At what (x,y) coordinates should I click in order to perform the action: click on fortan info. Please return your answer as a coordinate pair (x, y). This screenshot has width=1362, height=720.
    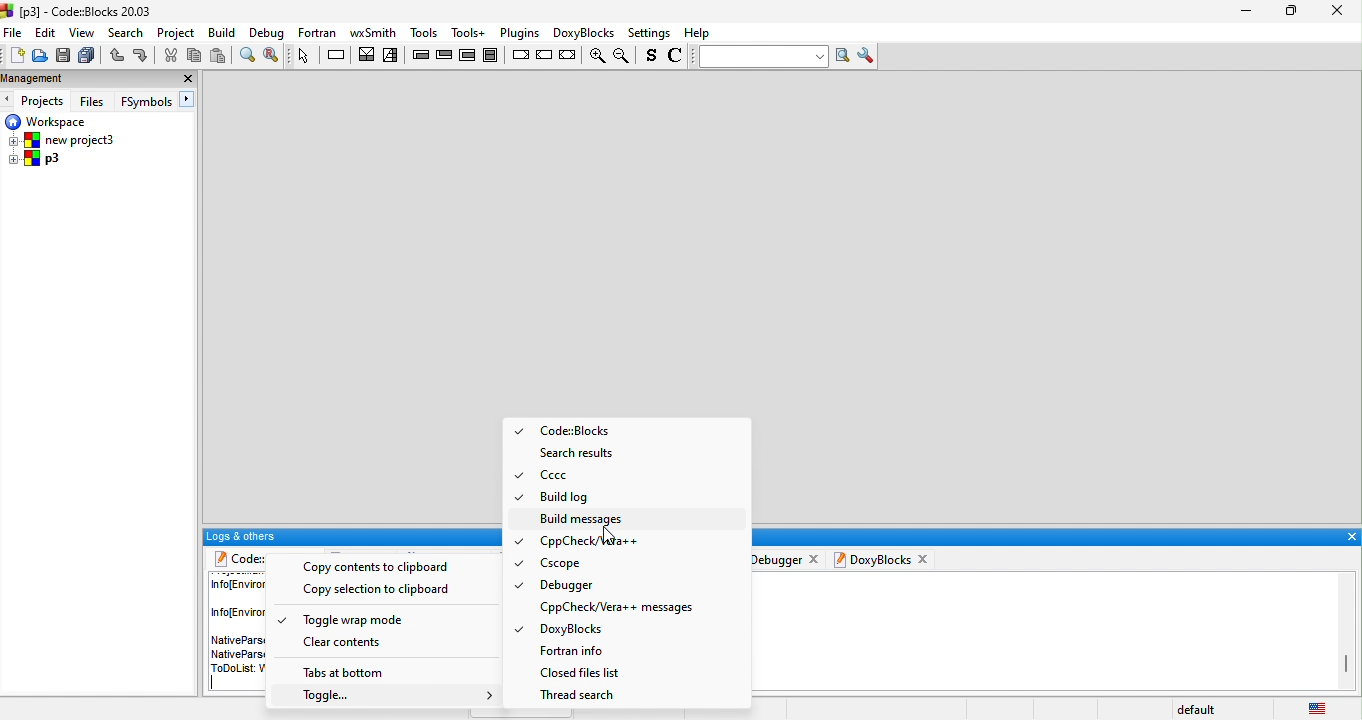
    Looking at the image, I should click on (579, 650).